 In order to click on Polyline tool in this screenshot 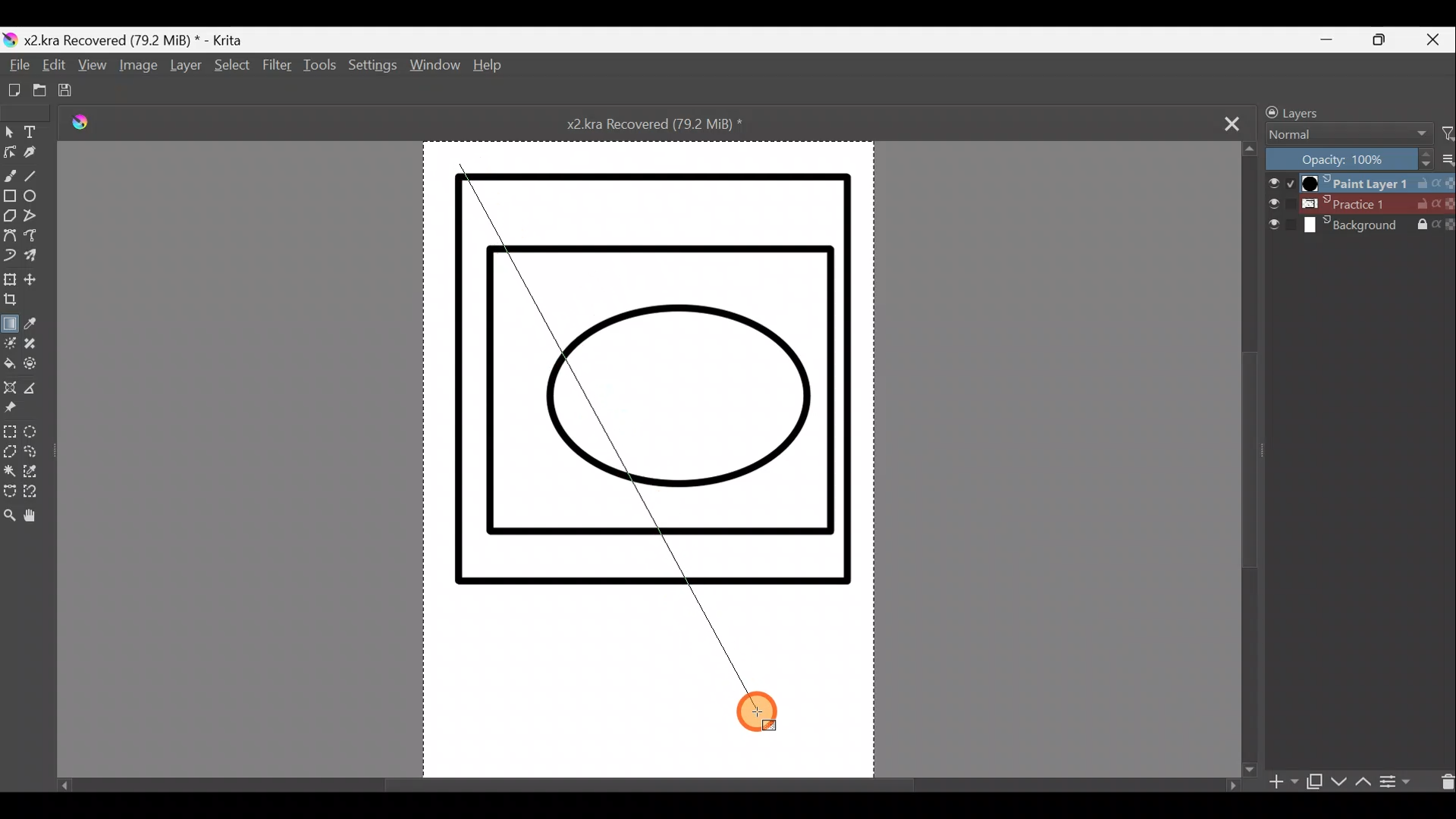, I will do `click(37, 218)`.